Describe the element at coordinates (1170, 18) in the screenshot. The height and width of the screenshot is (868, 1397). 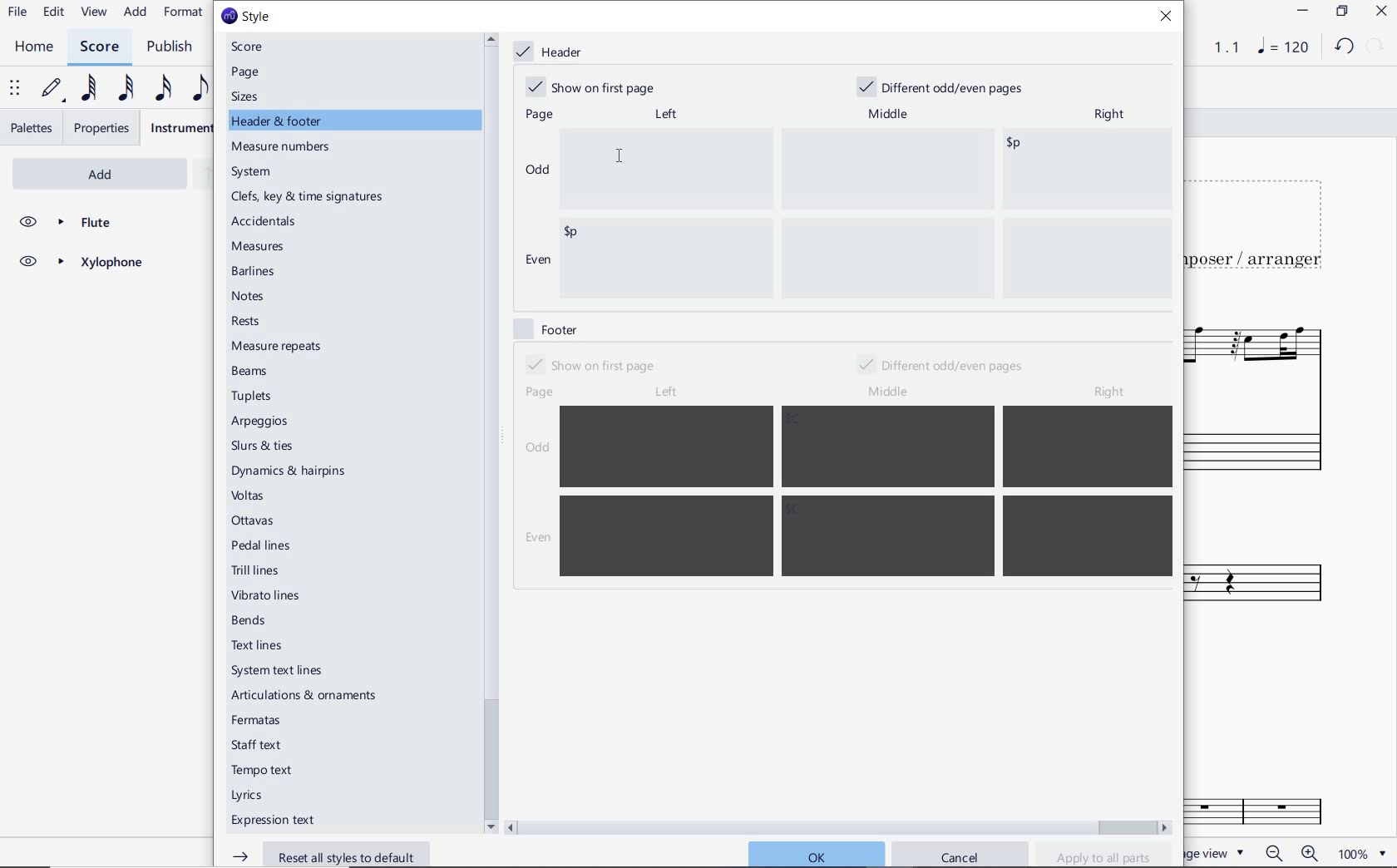
I see `close` at that location.